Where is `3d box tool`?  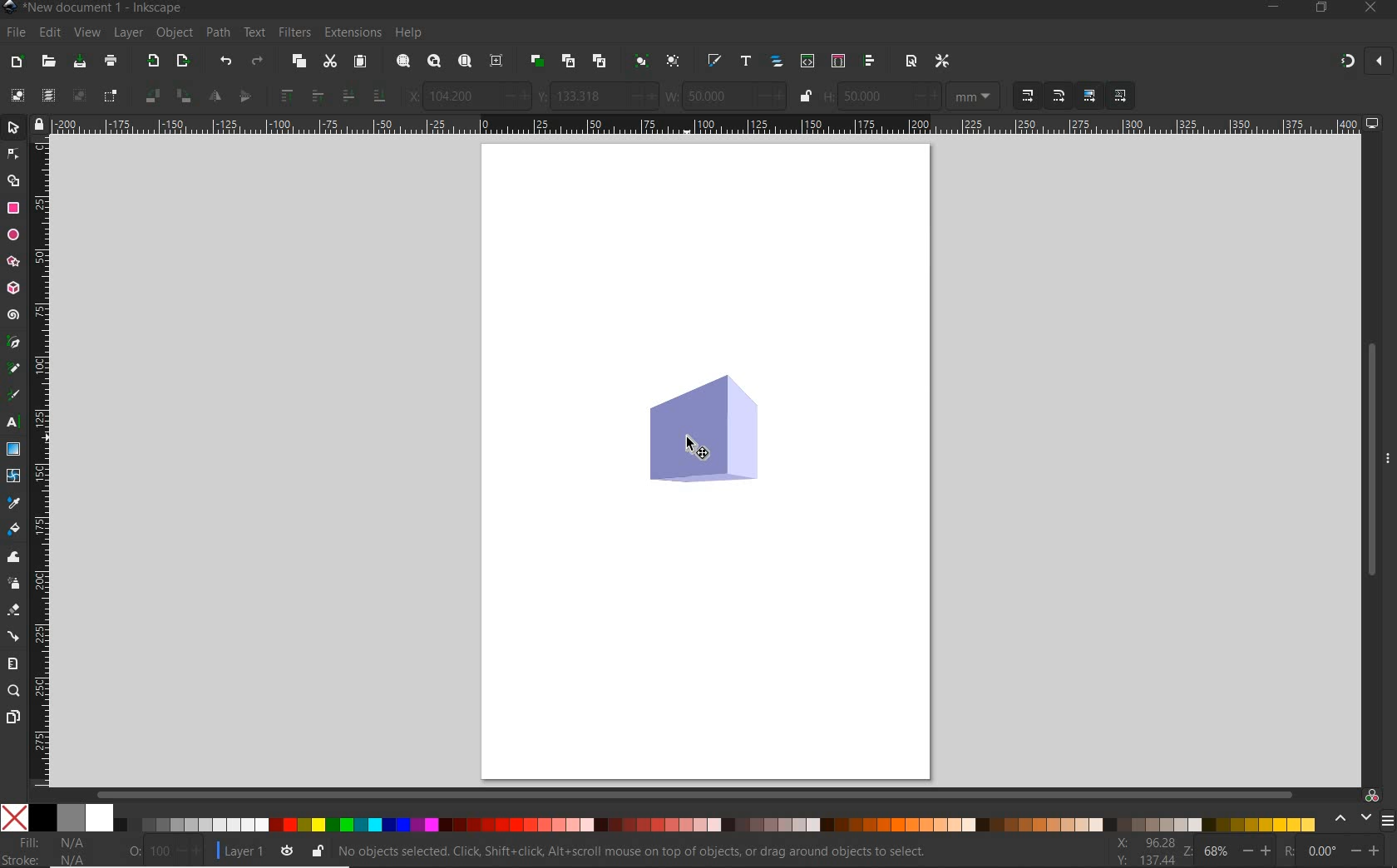 3d box tool is located at coordinates (12, 289).